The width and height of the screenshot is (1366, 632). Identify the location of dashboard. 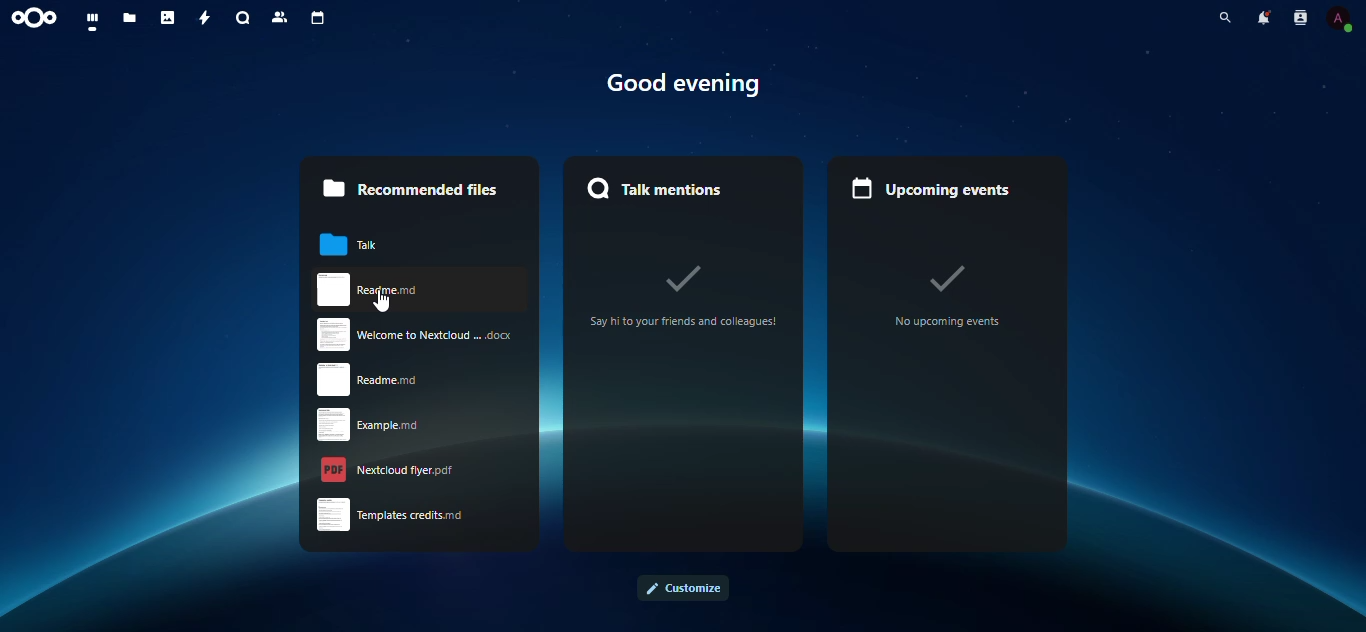
(94, 20).